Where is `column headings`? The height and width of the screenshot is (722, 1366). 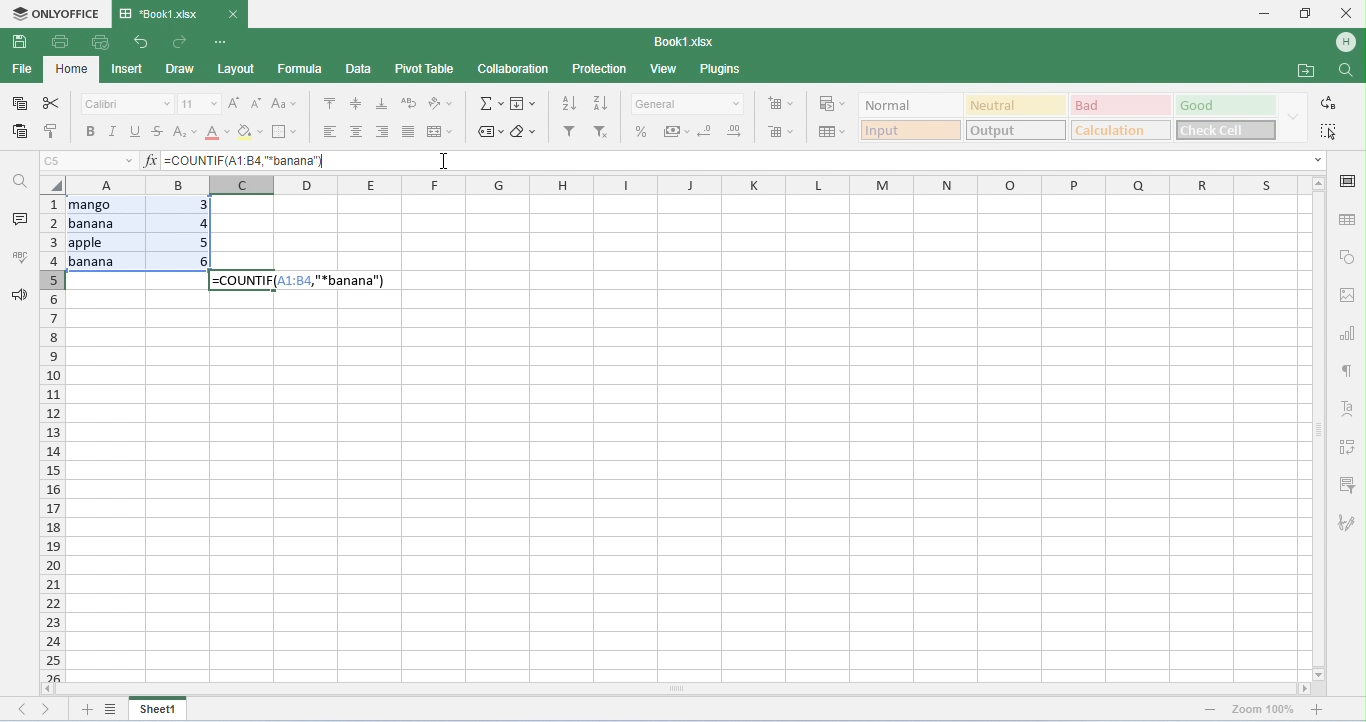 column headings is located at coordinates (686, 184).